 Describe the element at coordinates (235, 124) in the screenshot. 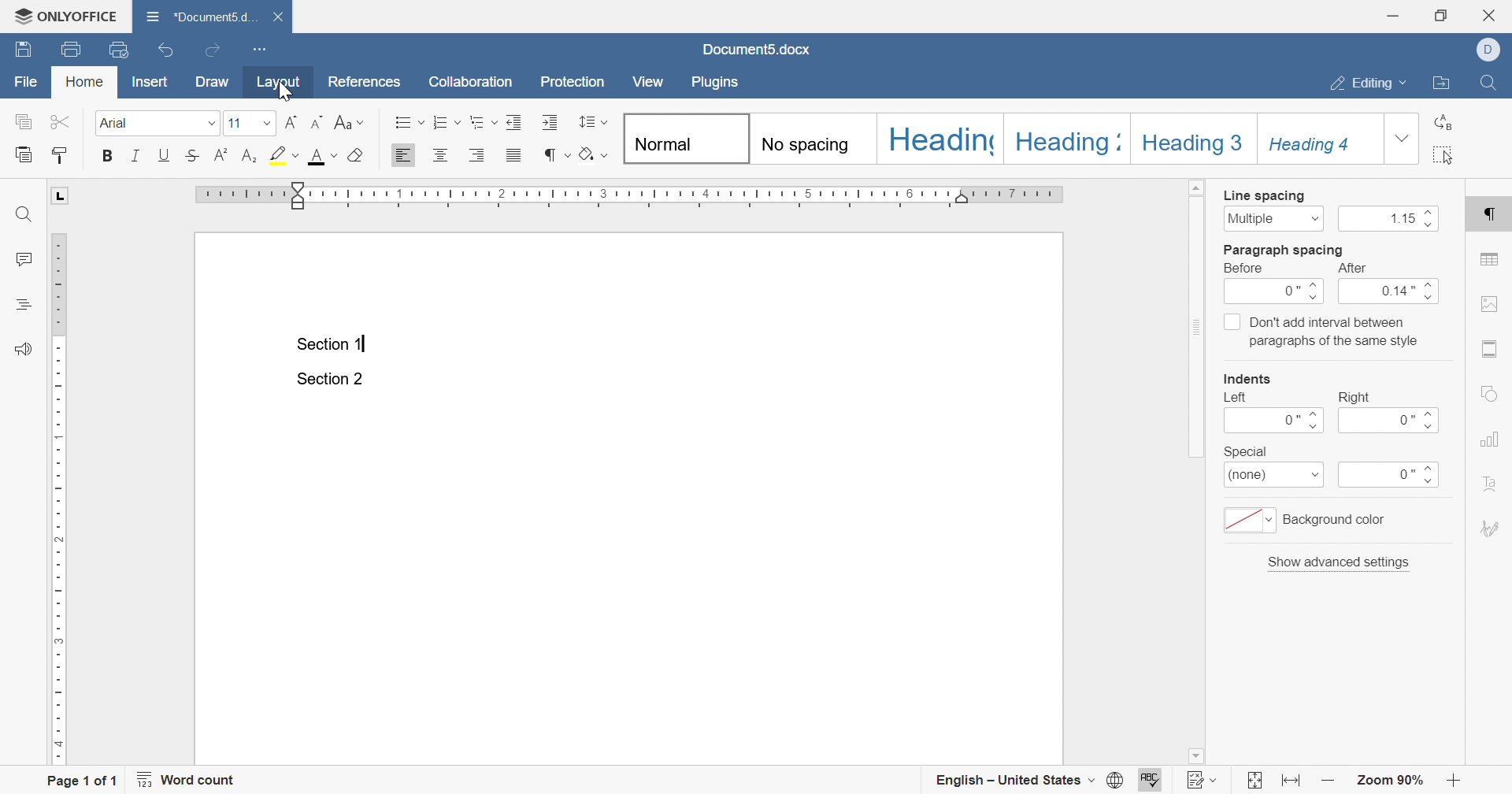

I see `font size` at that location.